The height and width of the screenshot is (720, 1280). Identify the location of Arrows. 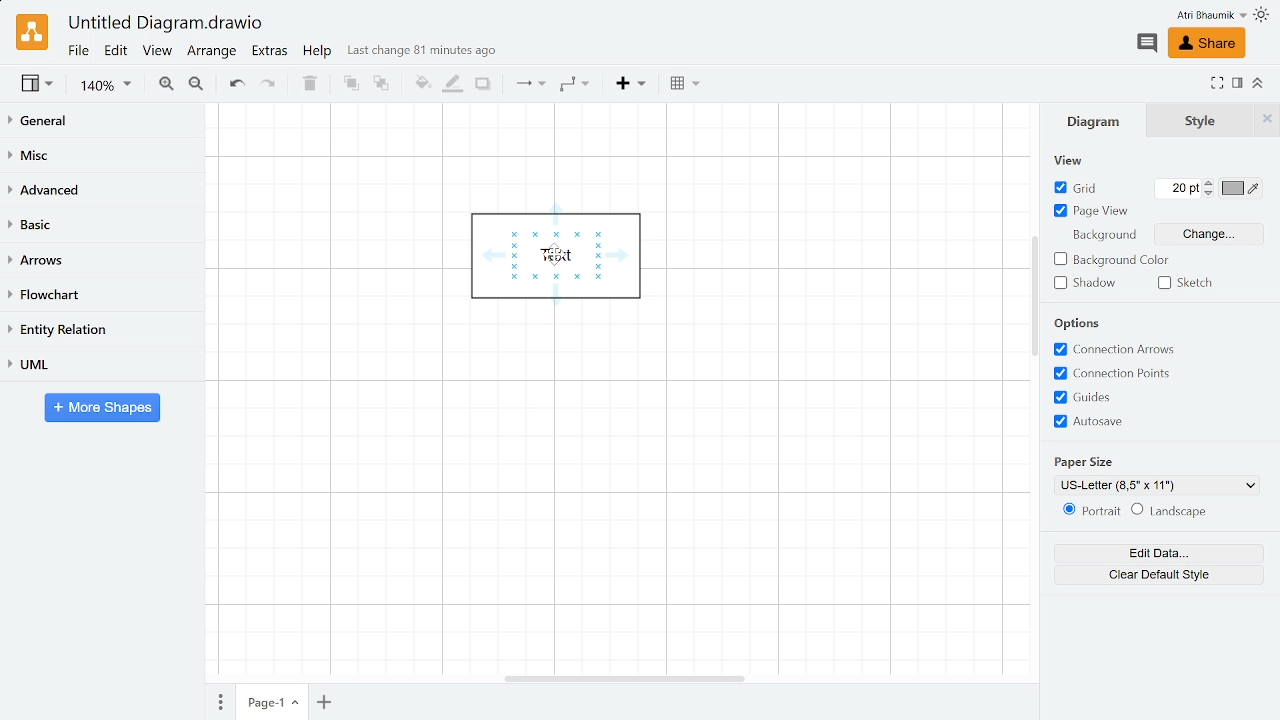
(103, 261).